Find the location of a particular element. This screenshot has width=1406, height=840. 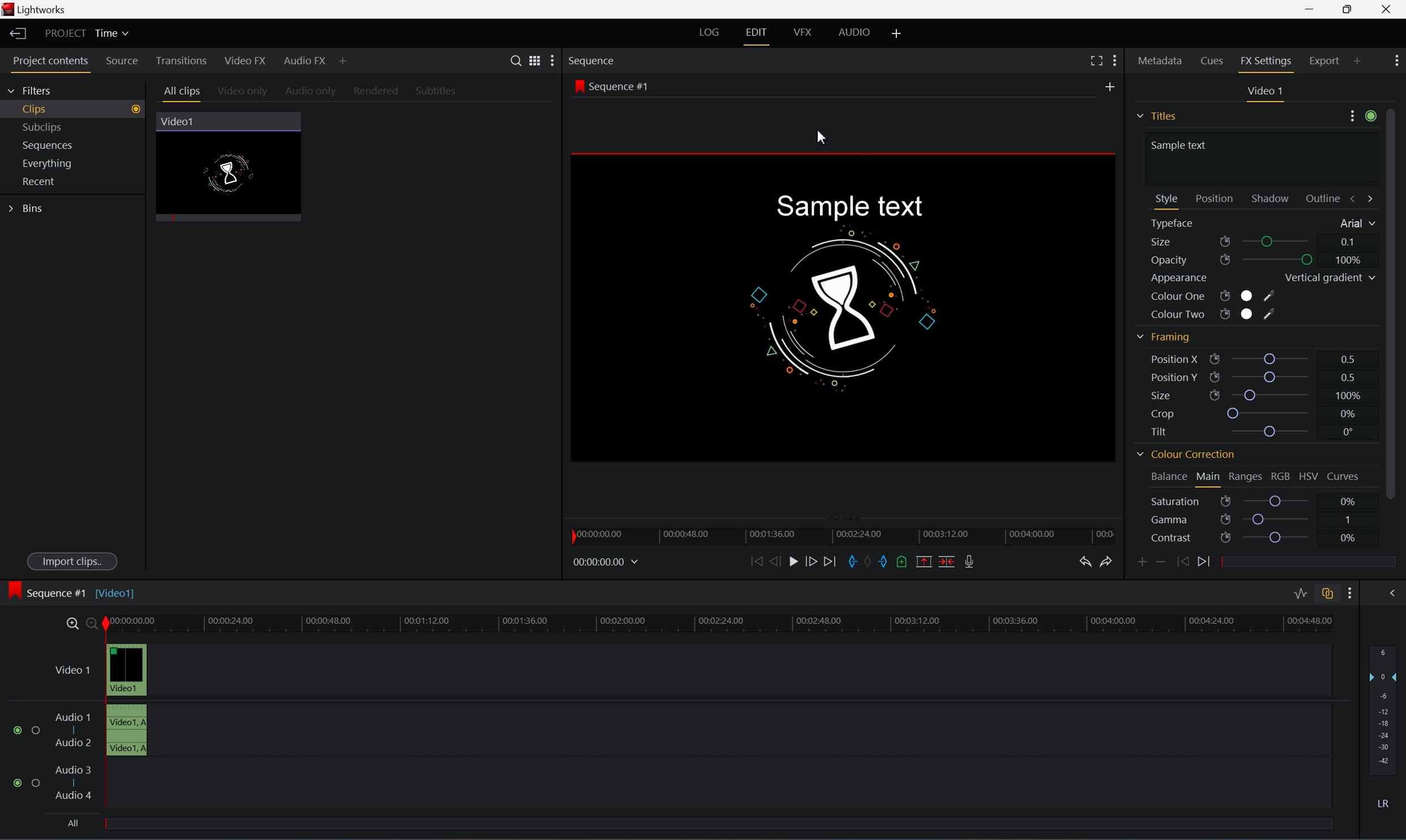

saturation is located at coordinates (1188, 502).